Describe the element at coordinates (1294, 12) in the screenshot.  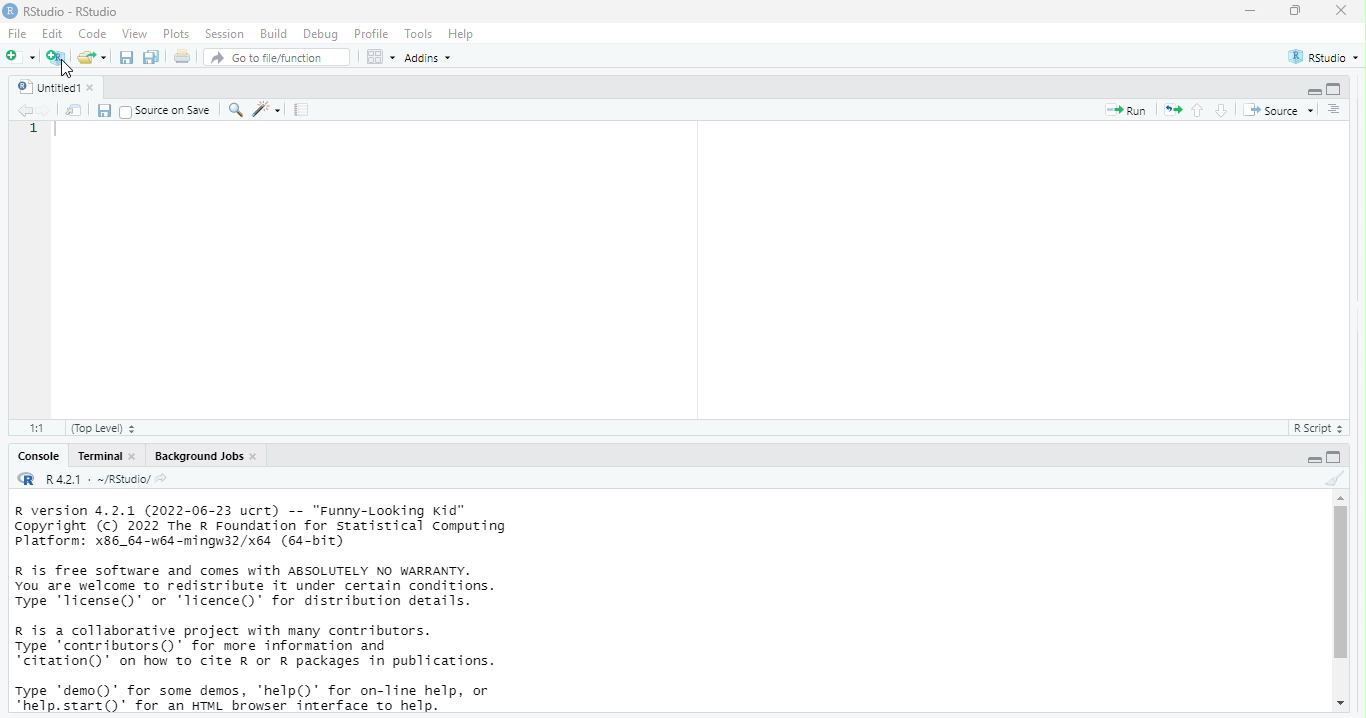
I see `maximize` at that location.